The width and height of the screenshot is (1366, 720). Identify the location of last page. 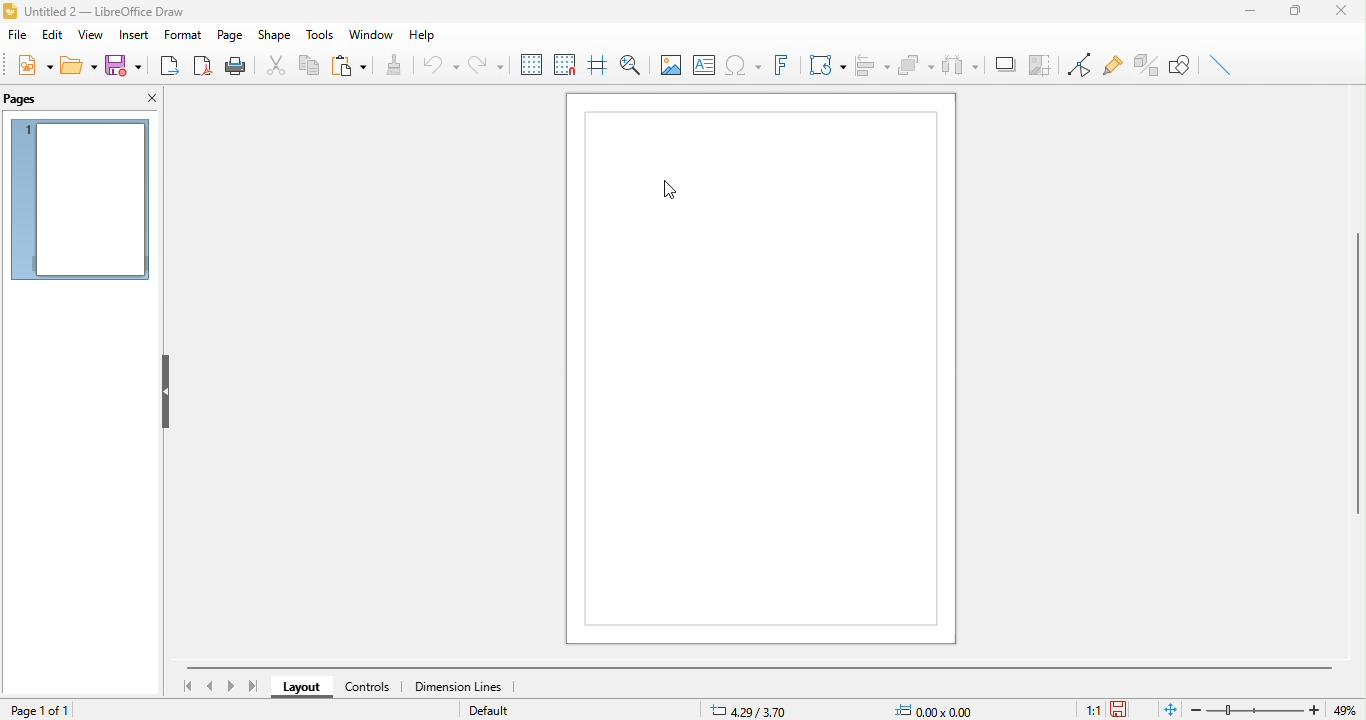
(254, 689).